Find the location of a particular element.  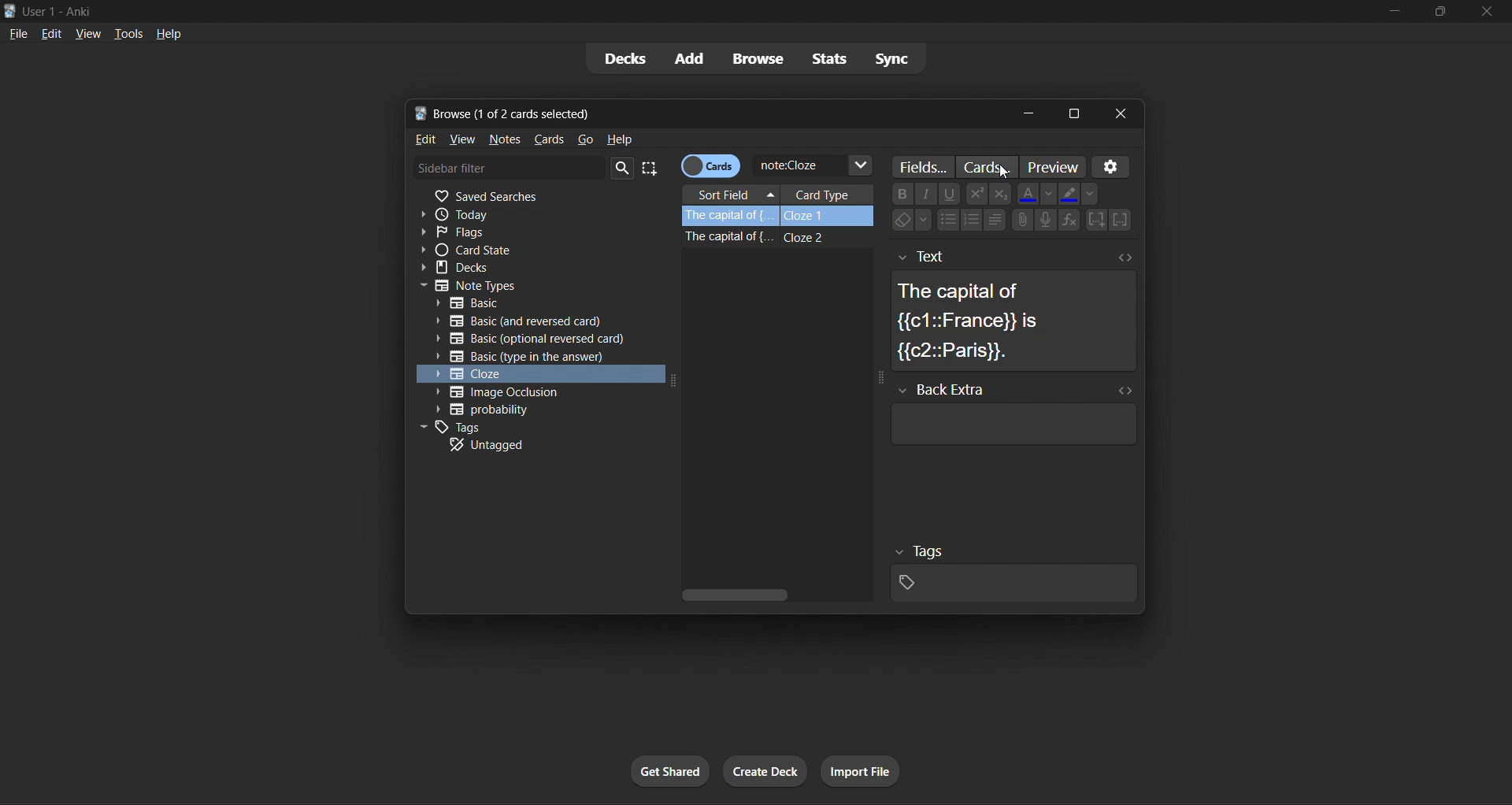

options is located at coordinates (1114, 166).